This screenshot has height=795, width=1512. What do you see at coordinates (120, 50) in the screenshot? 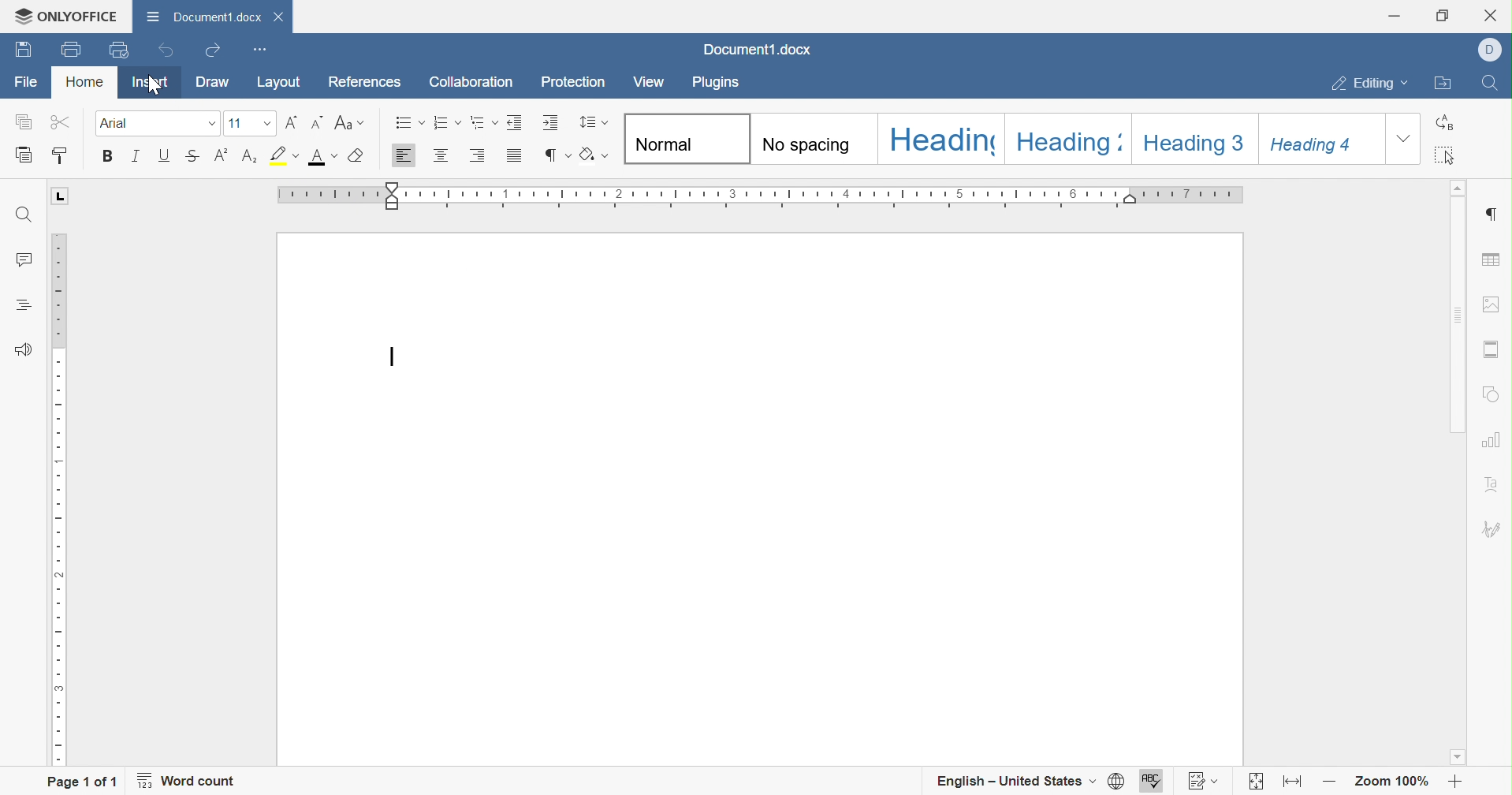
I see `Quick print` at bounding box center [120, 50].